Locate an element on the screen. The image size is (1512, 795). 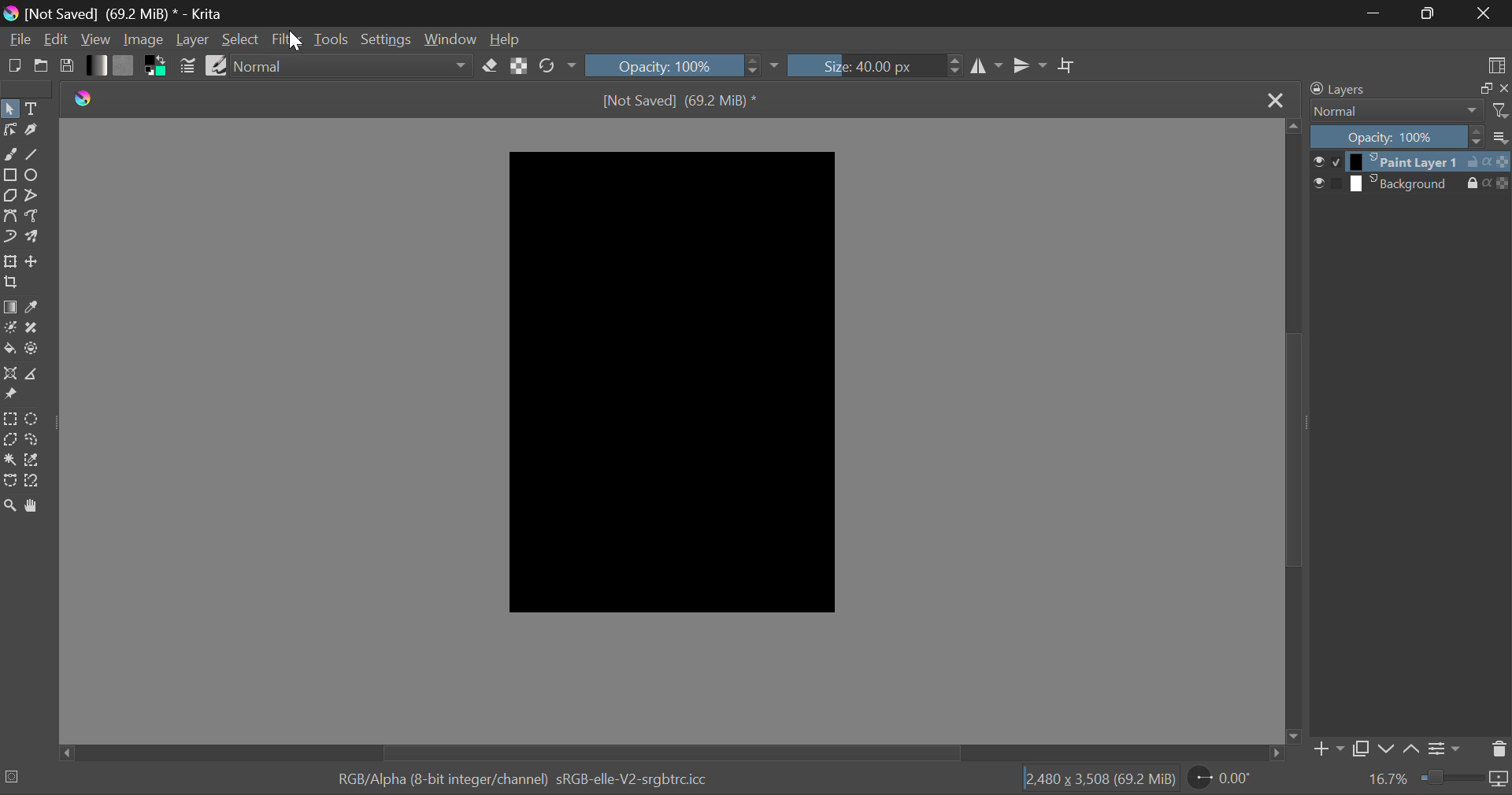
Layer is located at coordinates (193, 40).